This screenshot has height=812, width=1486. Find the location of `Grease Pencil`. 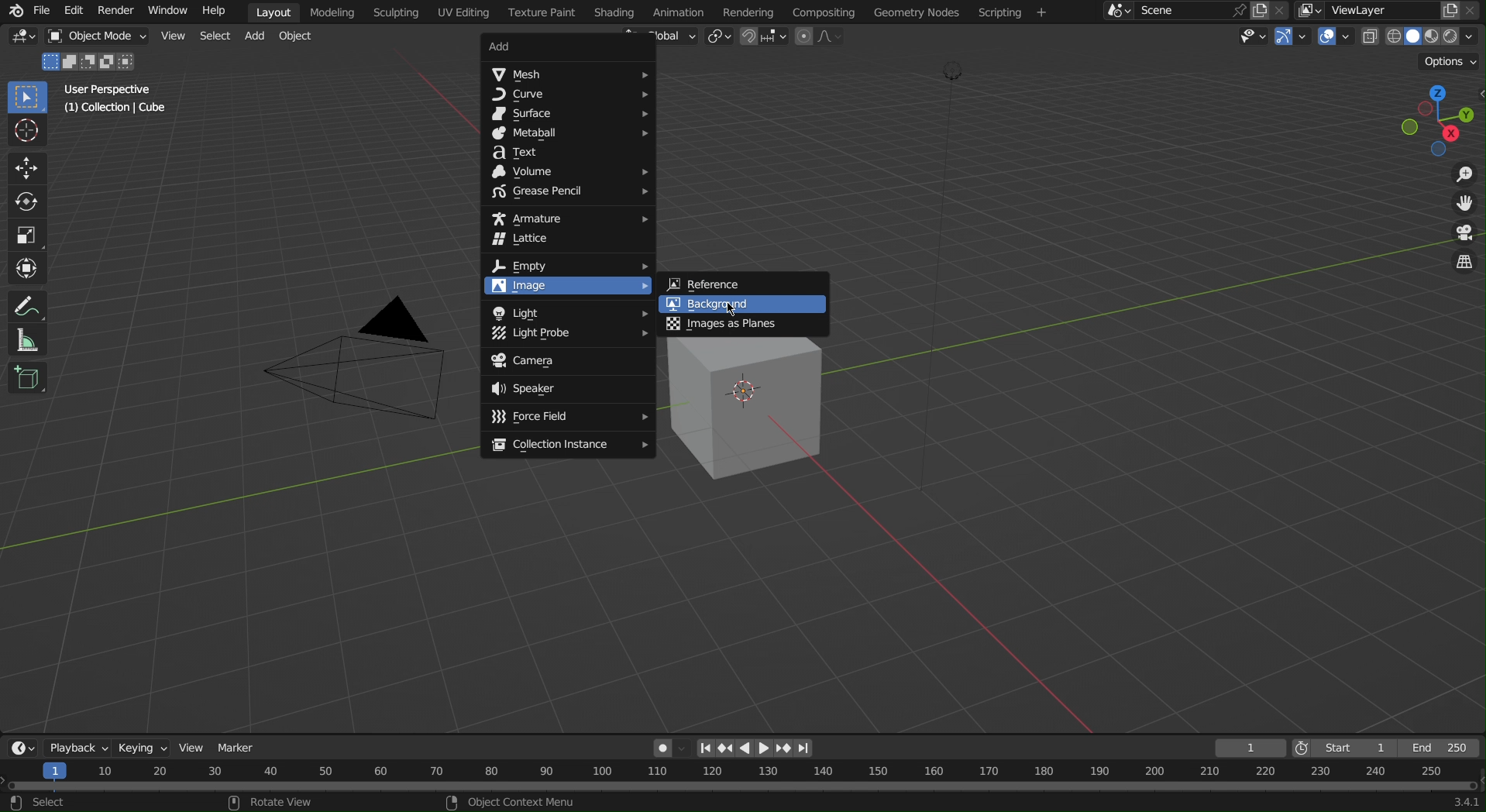

Grease Pencil is located at coordinates (567, 194).